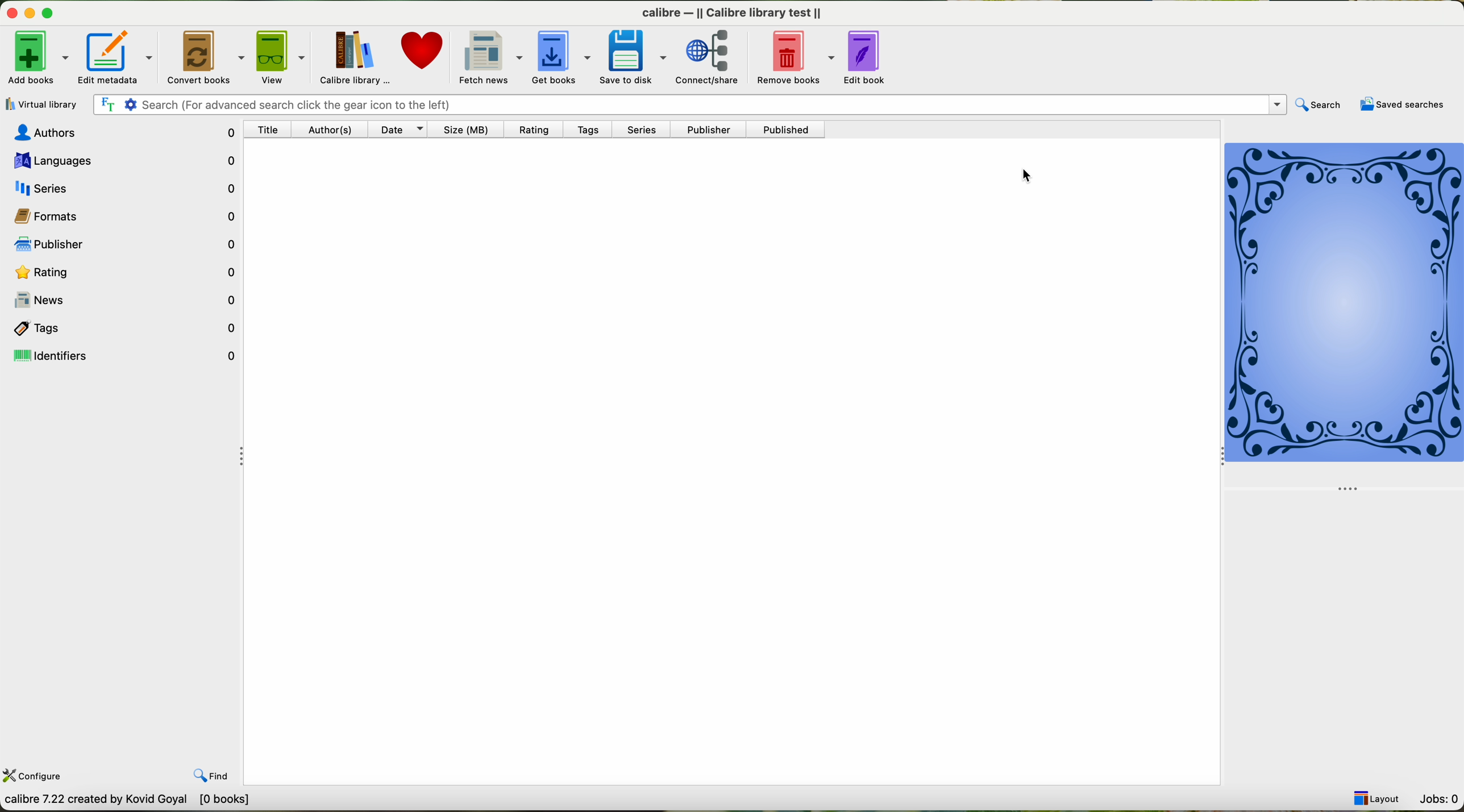 The width and height of the screenshot is (1464, 812). What do you see at coordinates (551, 56) in the screenshot?
I see `get books` at bounding box center [551, 56].